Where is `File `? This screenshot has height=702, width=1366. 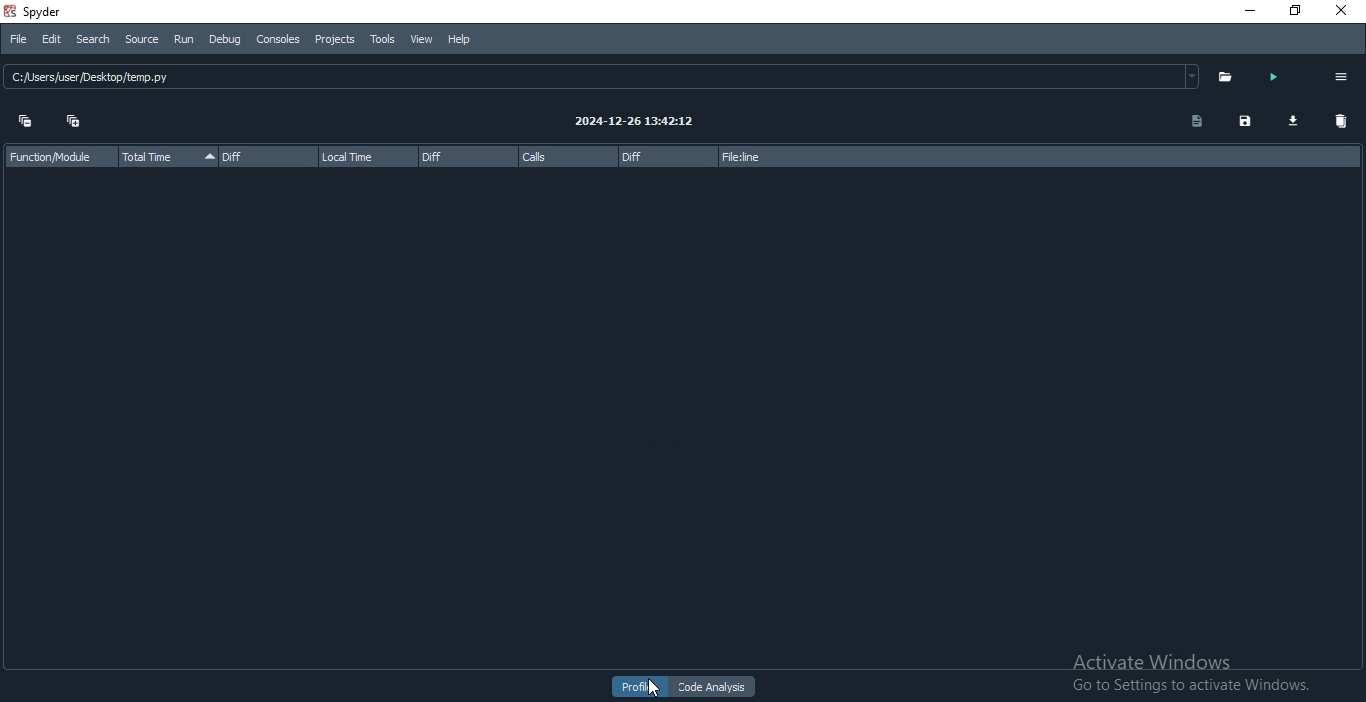
File  is located at coordinates (16, 38).